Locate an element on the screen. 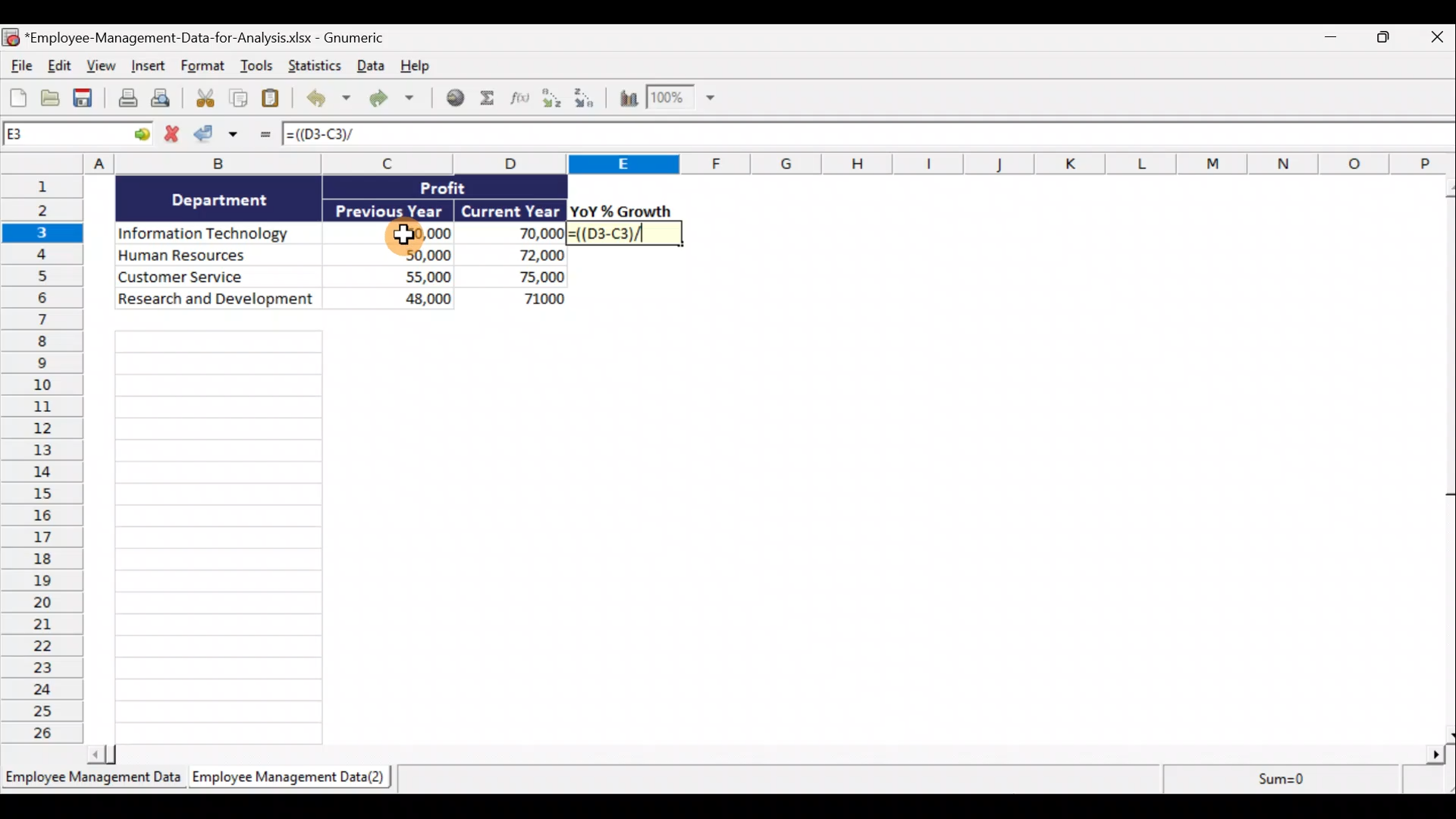  Print preview is located at coordinates (162, 99).